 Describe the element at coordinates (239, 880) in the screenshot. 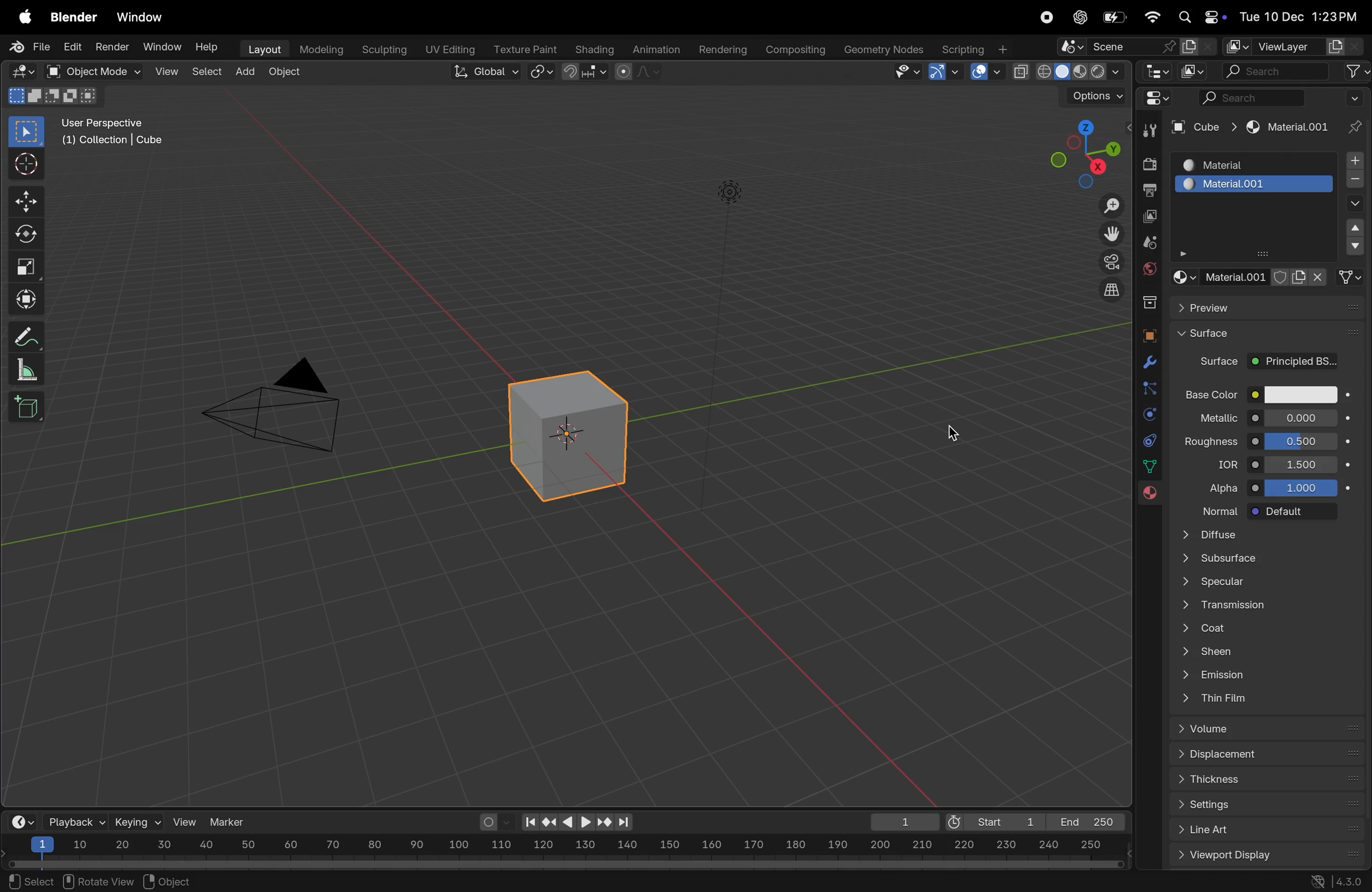

I see `context menu` at that location.